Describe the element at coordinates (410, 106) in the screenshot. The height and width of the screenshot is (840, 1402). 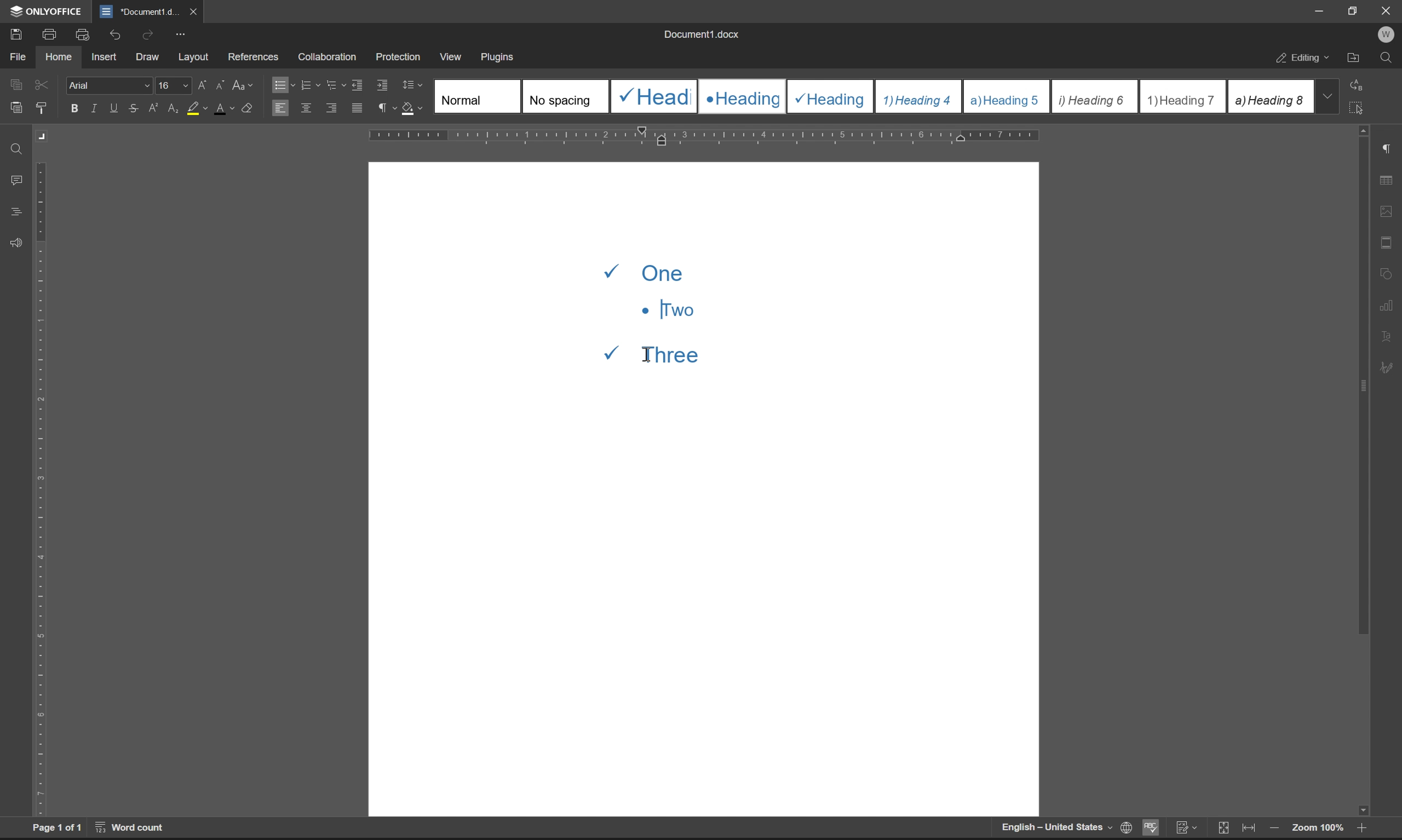
I see `shading` at that location.